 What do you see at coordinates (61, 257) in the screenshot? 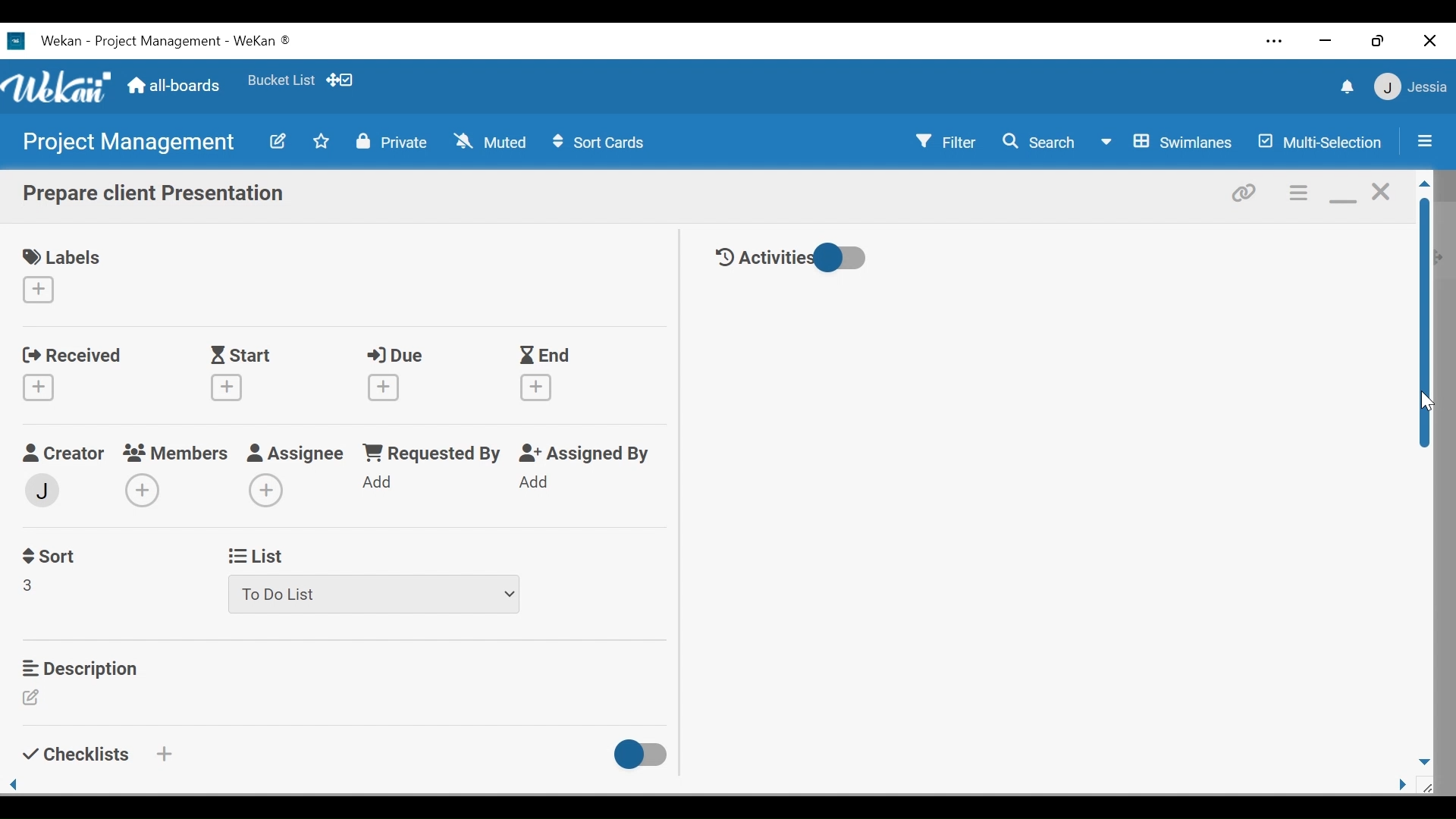
I see `Labels` at bounding box center [61, 257].